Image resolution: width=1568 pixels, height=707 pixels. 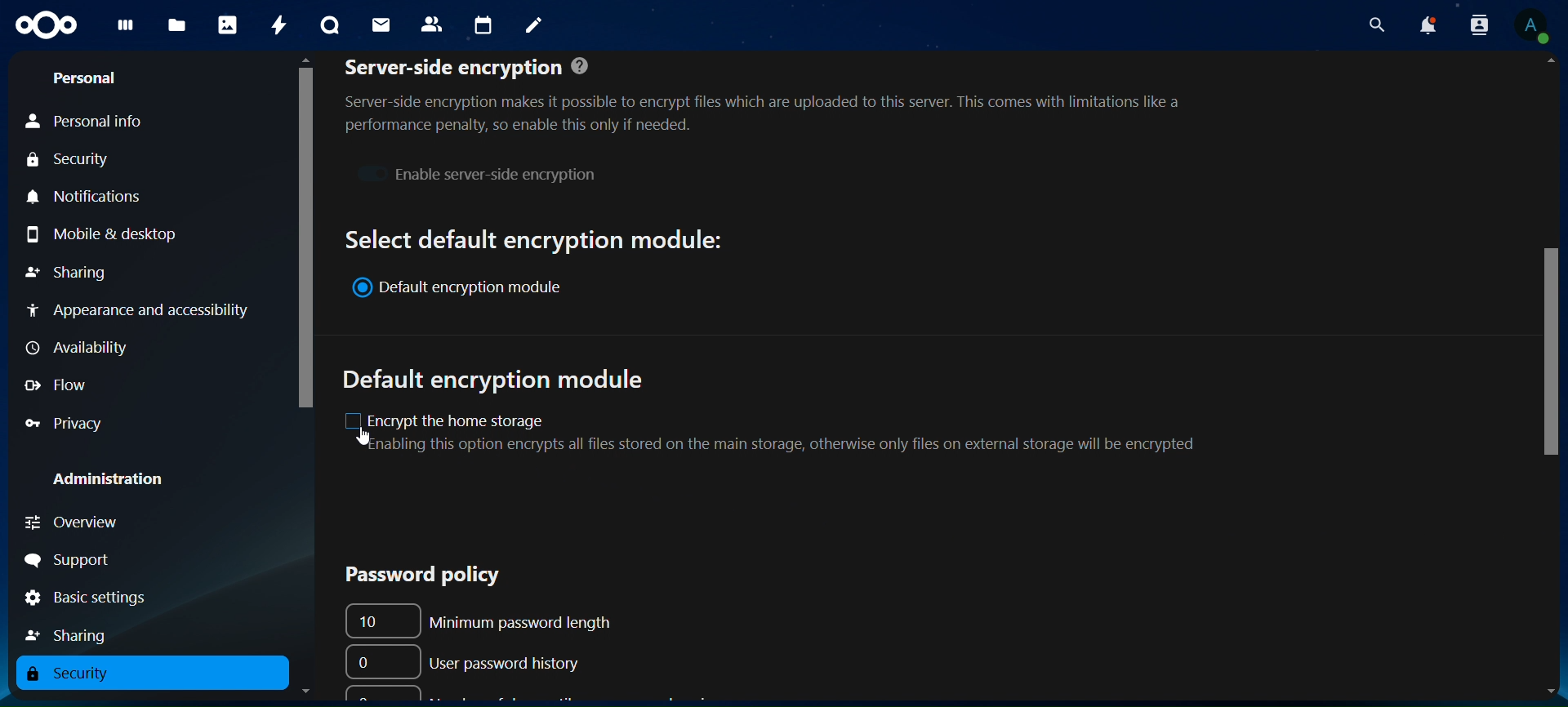 I want to click on talk, so click(x=327, y=26).